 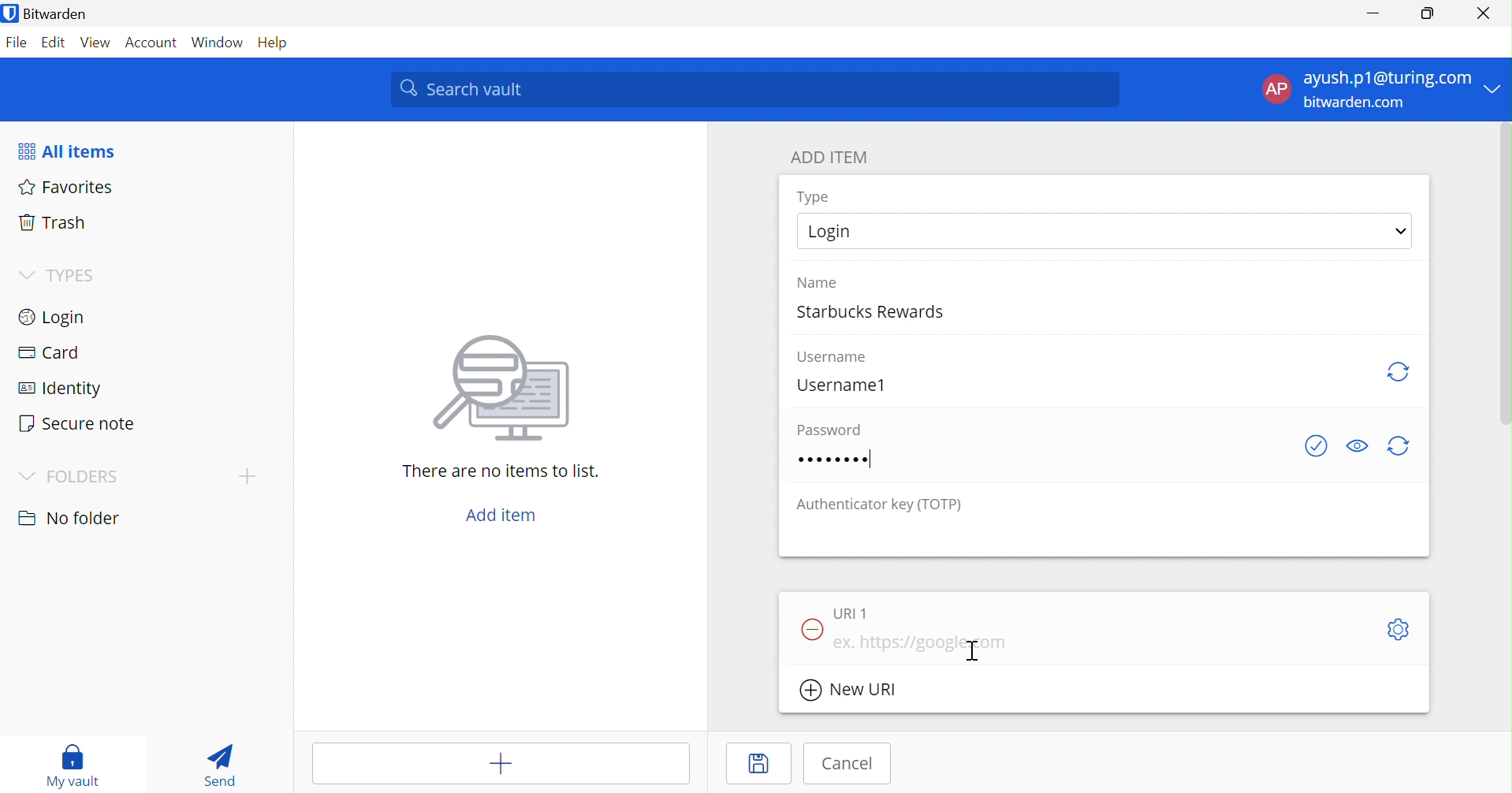 What do you see at coordinates (1399, 629) in the screenshot?
I see `Settings` at bounding box center [1399, 629].